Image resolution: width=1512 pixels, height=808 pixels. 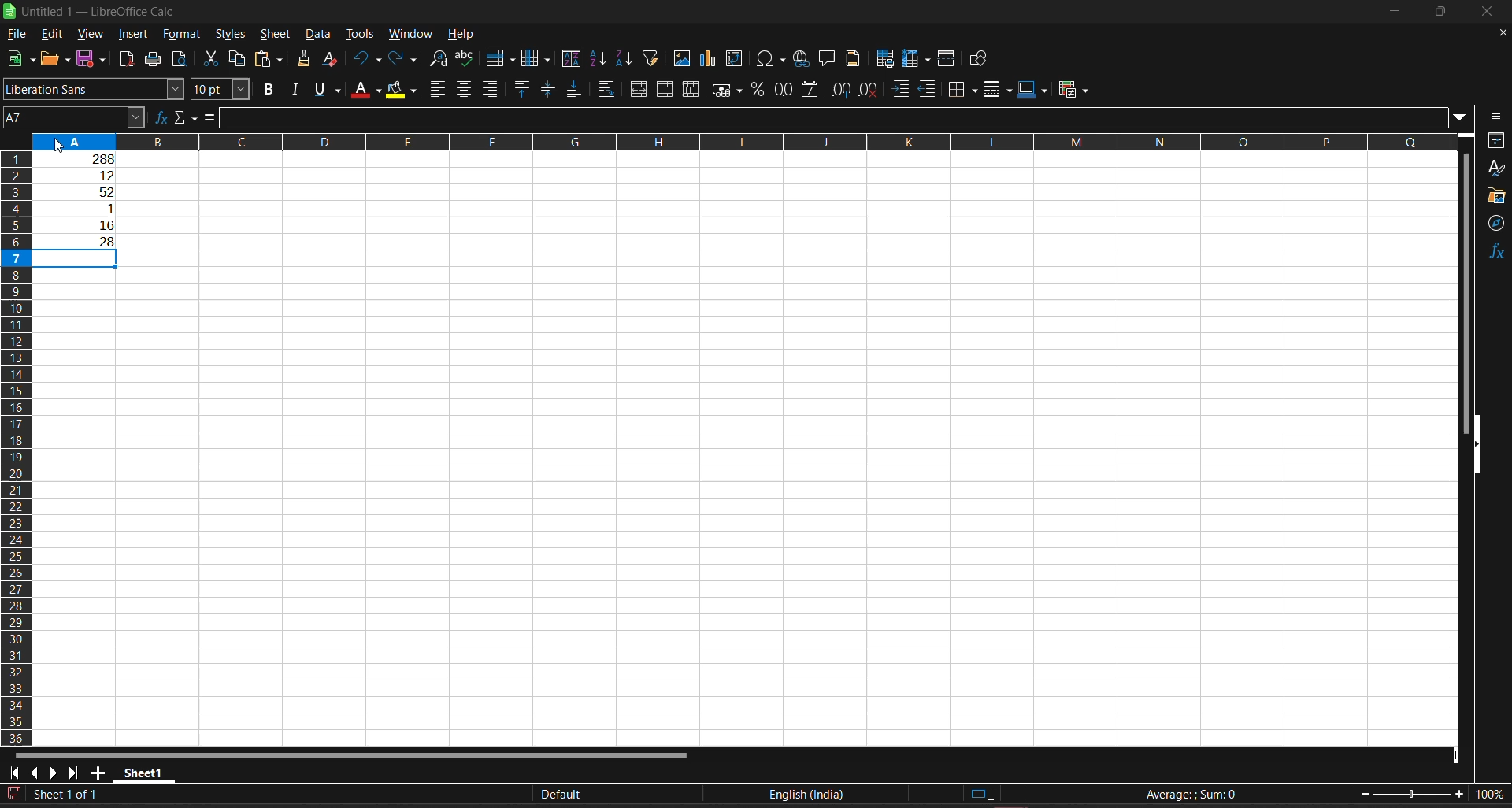 I want to click on properties, so click(x=1496, y=139).